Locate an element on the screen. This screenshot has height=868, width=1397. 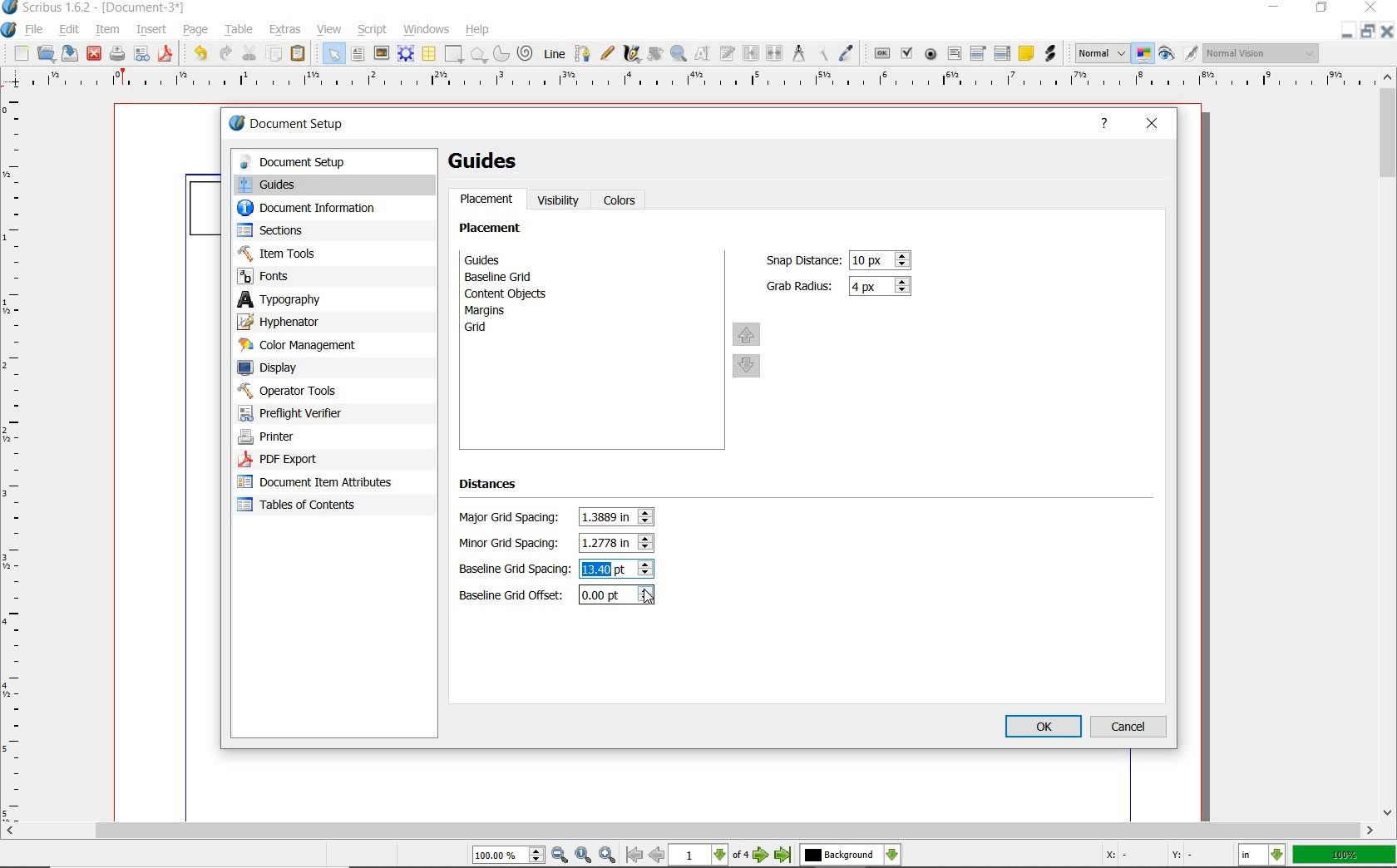
minimize is located at coordinates (1276, 7).